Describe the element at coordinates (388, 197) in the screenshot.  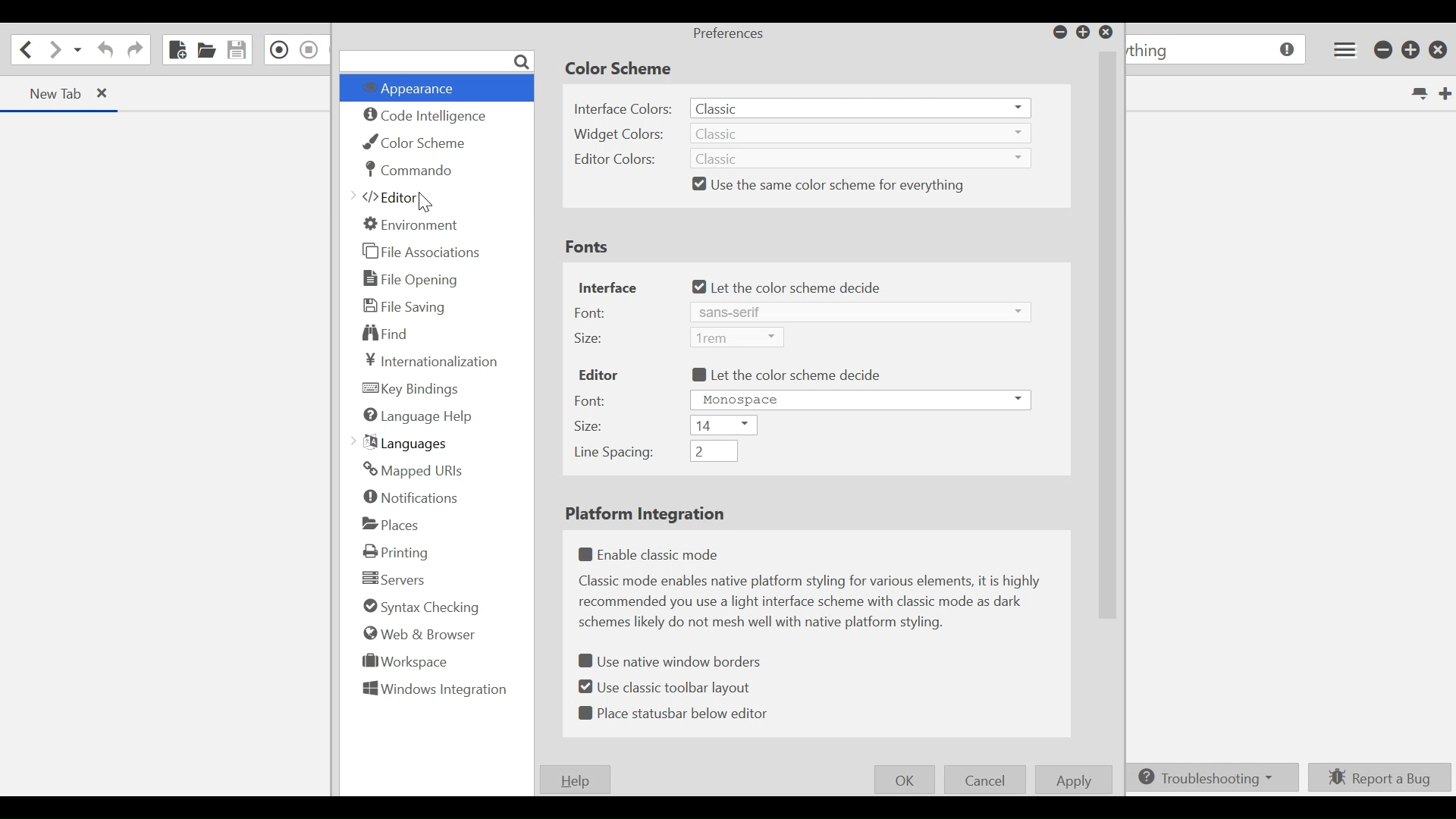
I see `Editor` at that location.